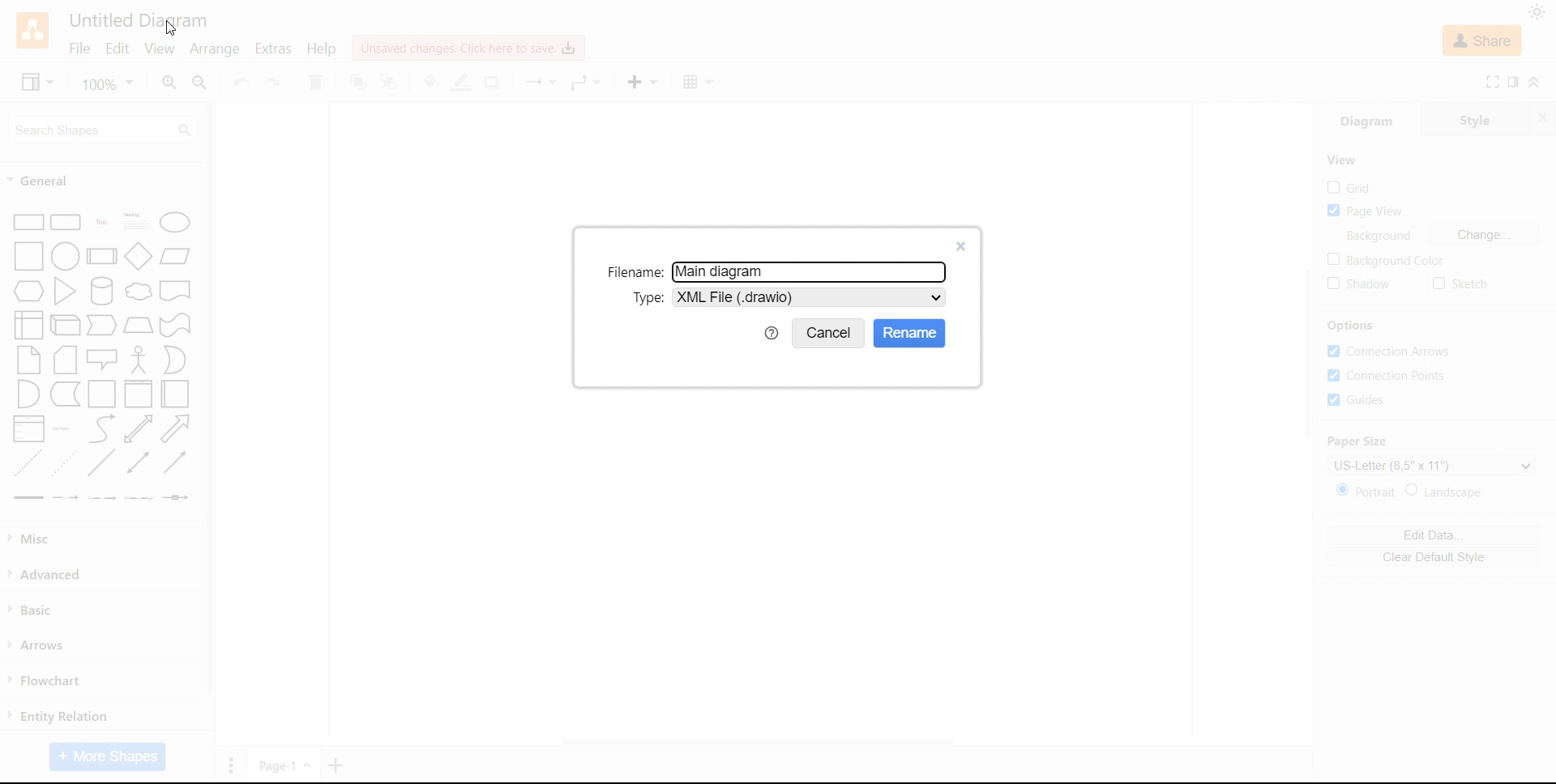  I want to click on Redo , so click(273, 83).